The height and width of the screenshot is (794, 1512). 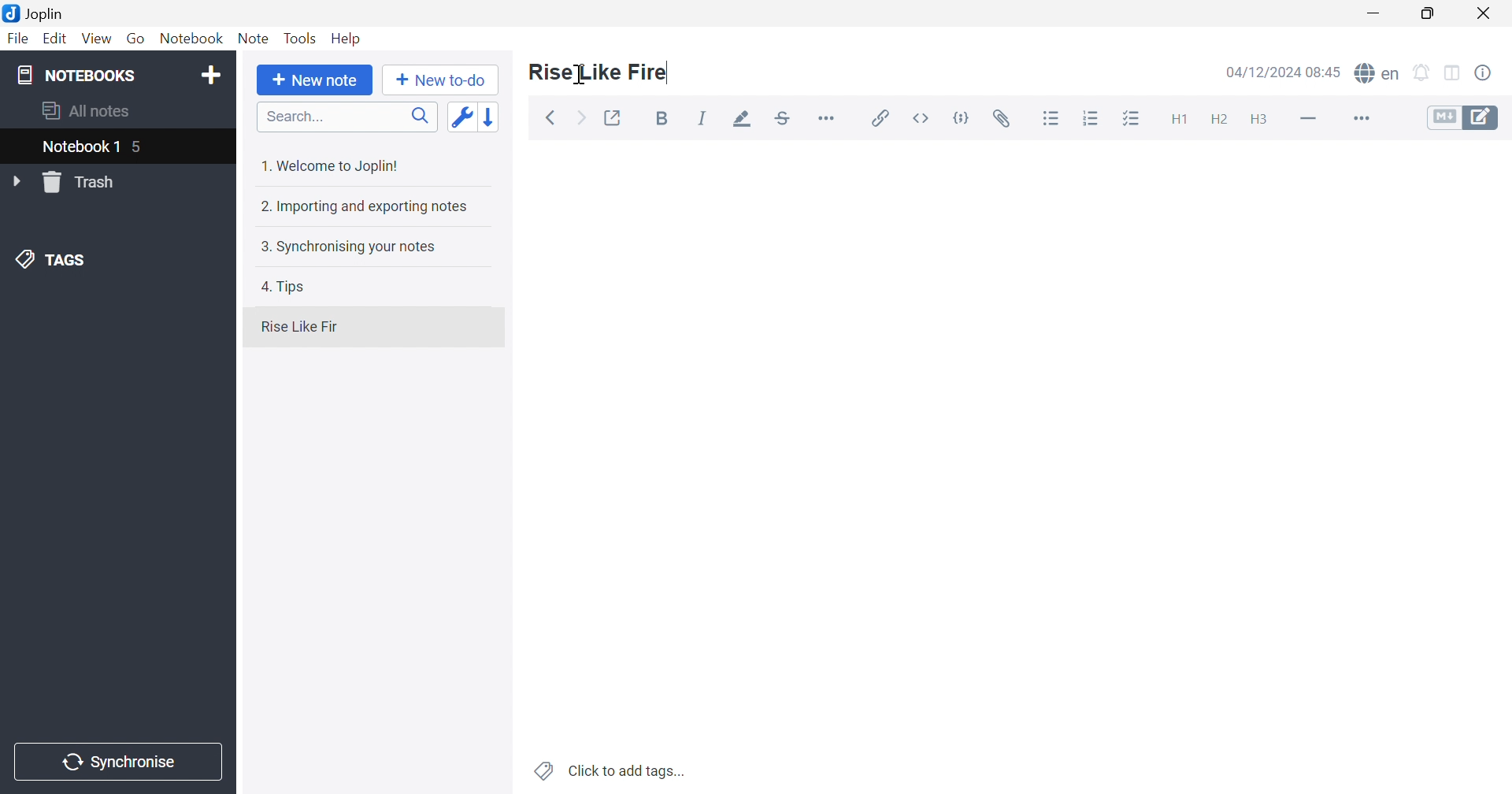 What do you see at coordinates (254, 39) in the screenshot?
I see `Note` at bounding box center [254, 39].